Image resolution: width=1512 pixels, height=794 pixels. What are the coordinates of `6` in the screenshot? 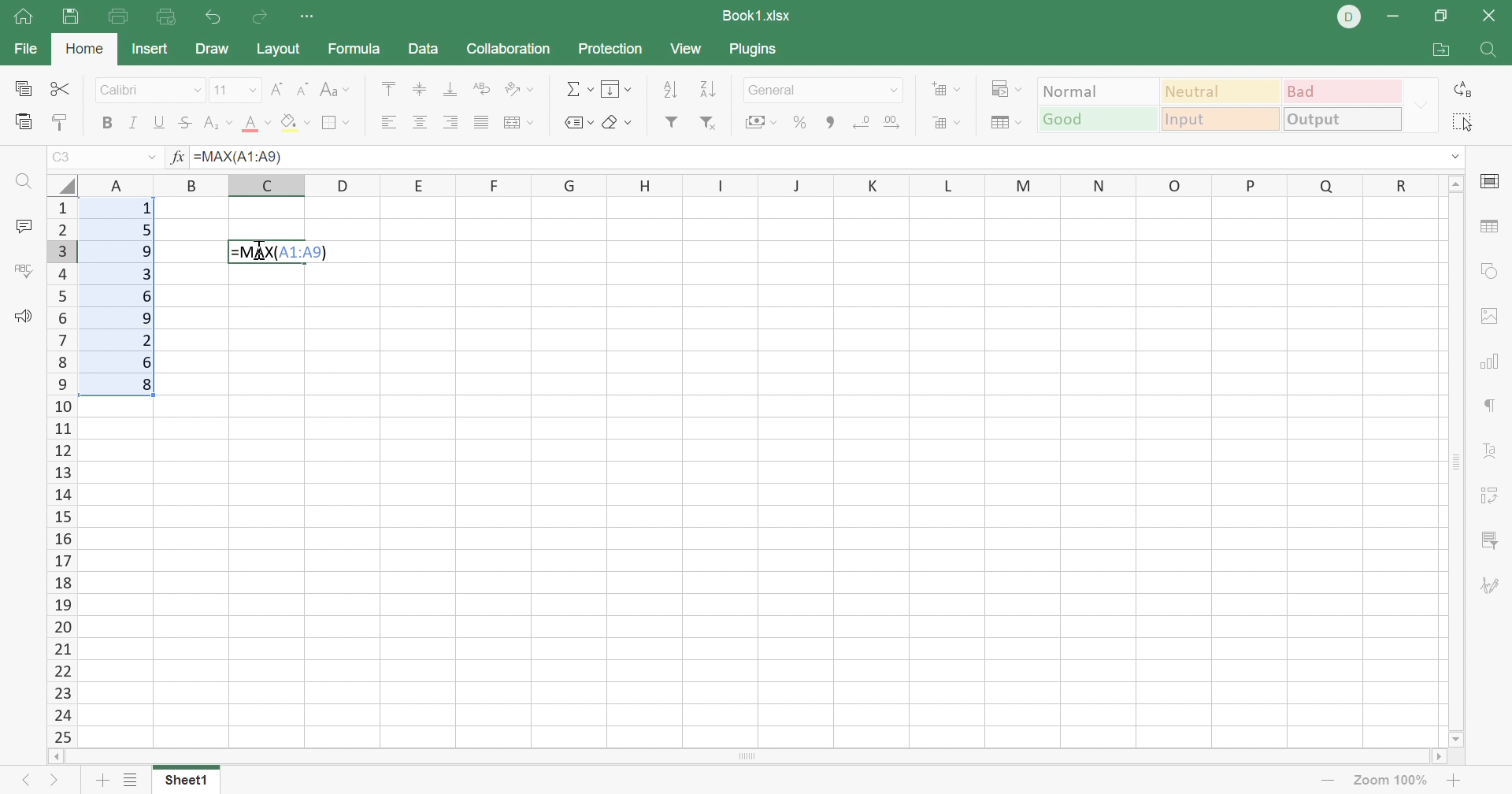 It's located at (148, 362).